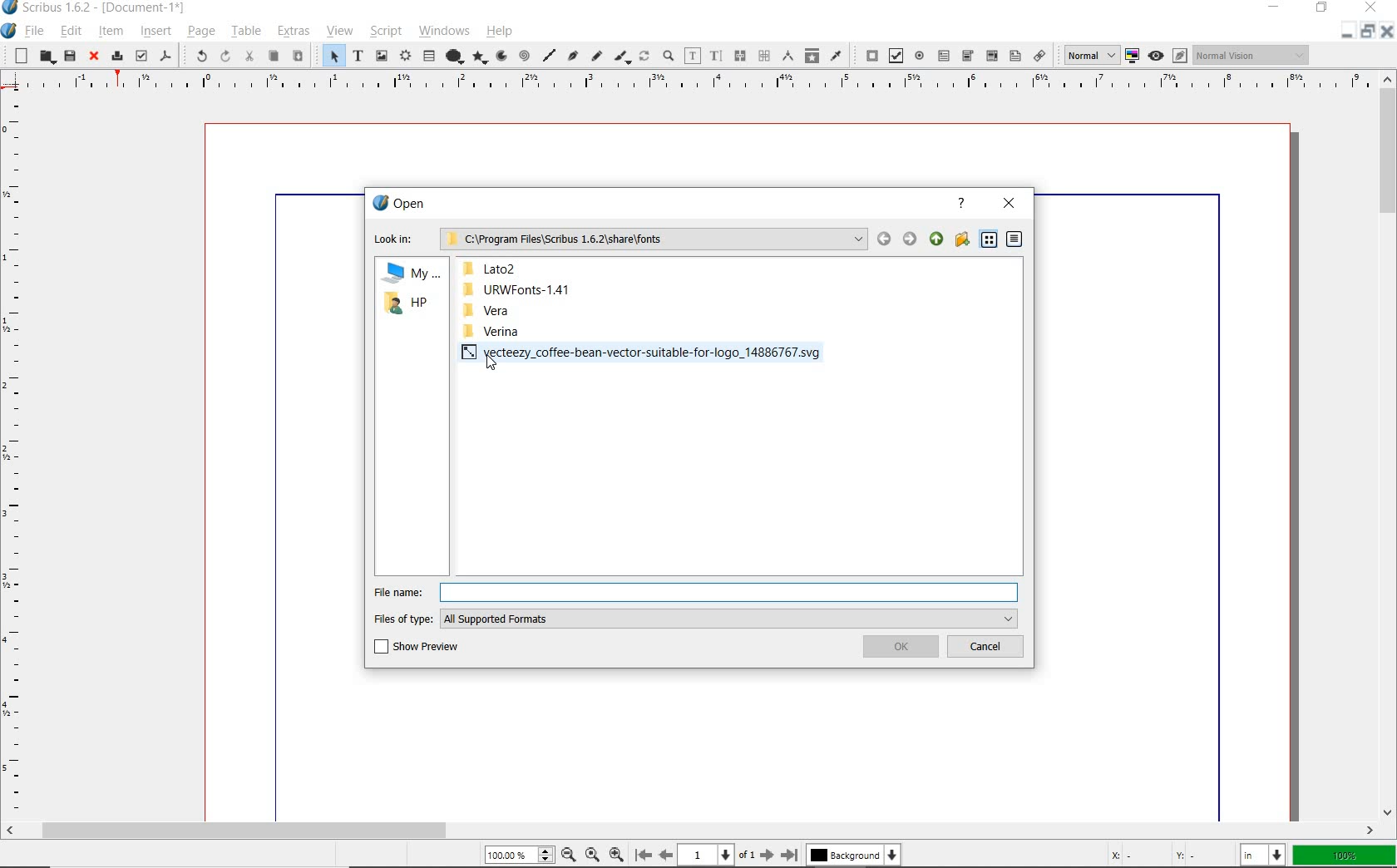  What do you see at coordinates (1278, 7) in the screenshot?
I see `minimize` at bounding box center [1278, 7].